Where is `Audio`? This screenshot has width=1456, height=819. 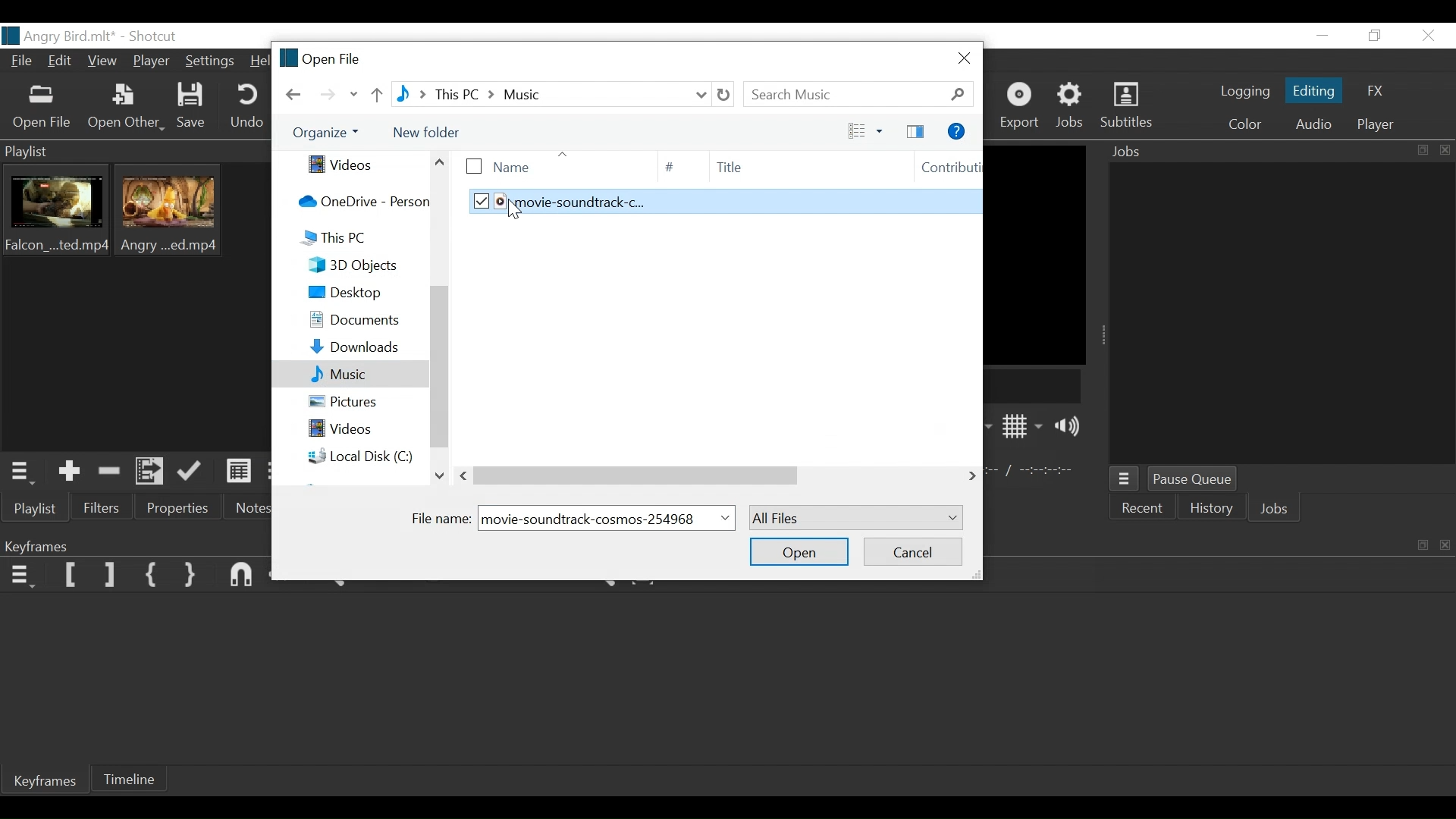 Audio is located at coordinates (1313, 123).